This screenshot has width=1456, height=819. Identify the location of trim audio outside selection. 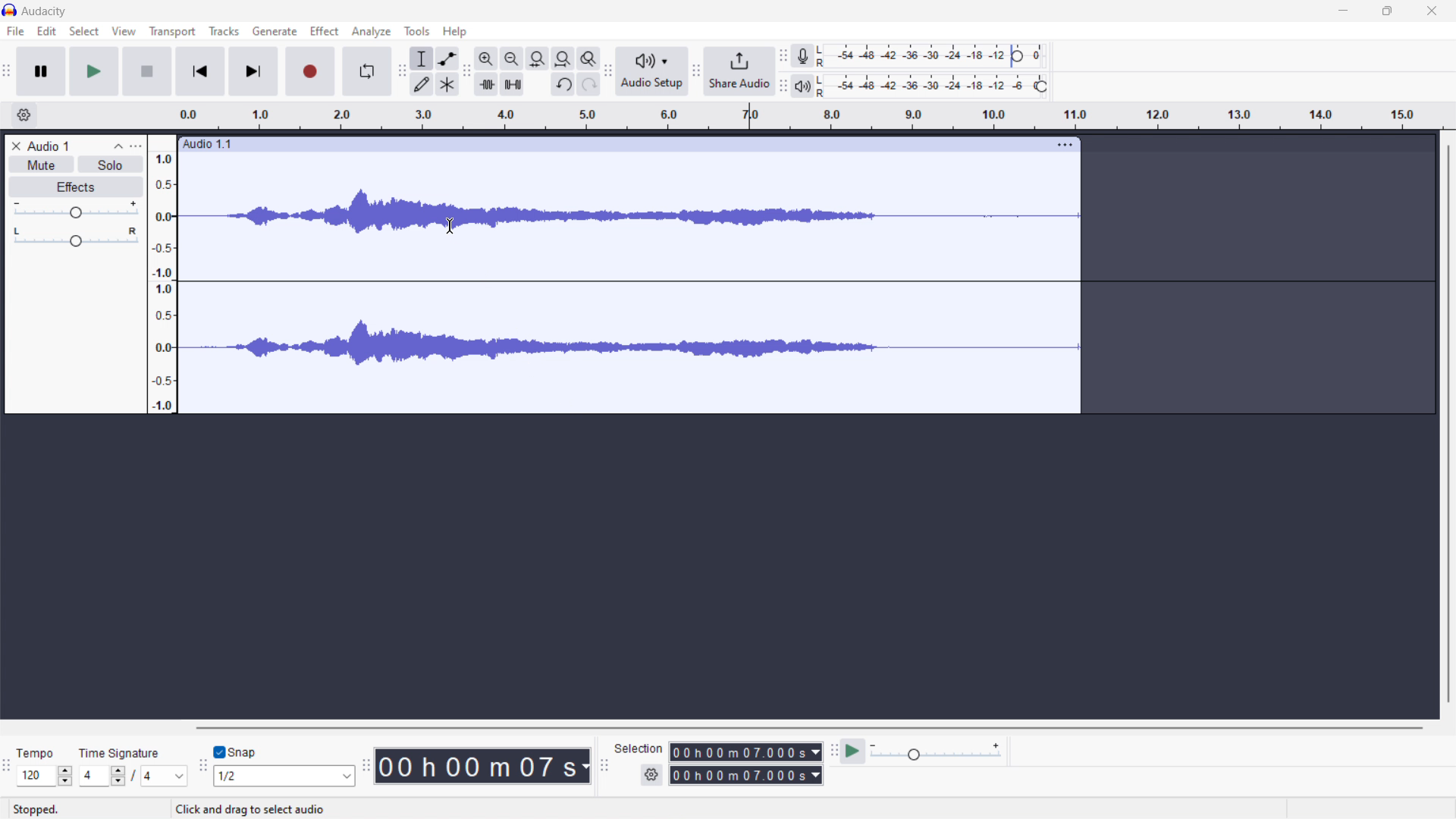
(488, 84).